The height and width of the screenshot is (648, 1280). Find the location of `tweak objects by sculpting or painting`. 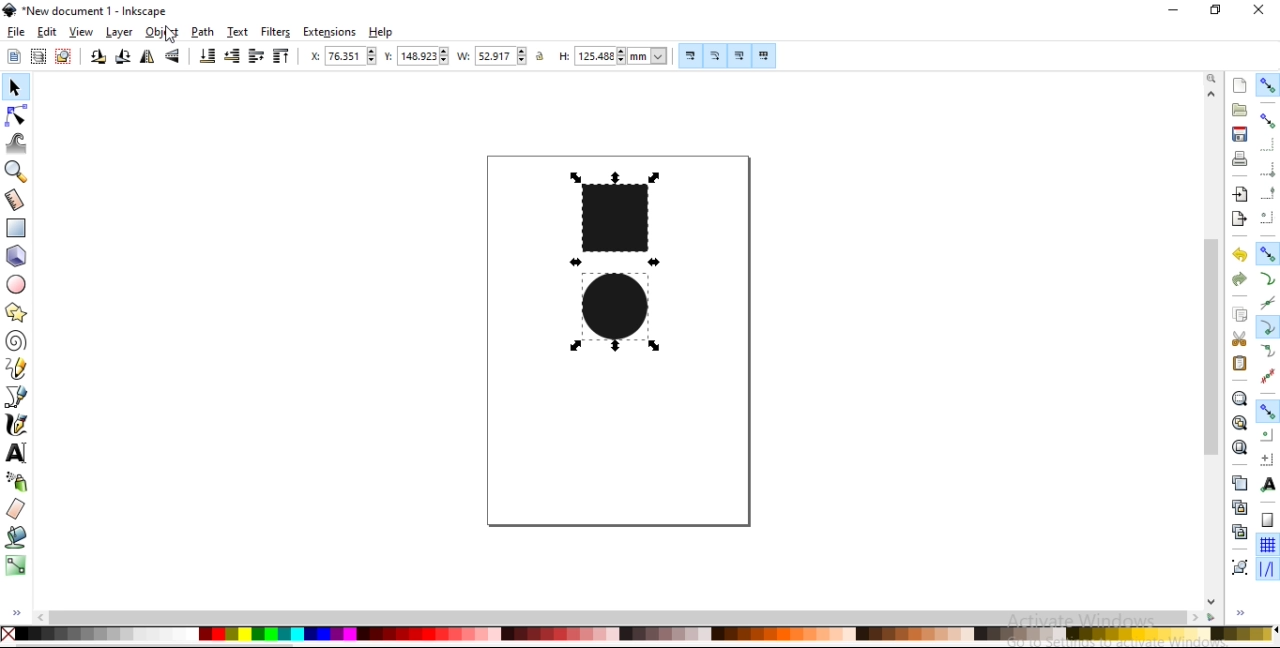

tweak objects by sculpting or painting is located at coordinates (17, 145).